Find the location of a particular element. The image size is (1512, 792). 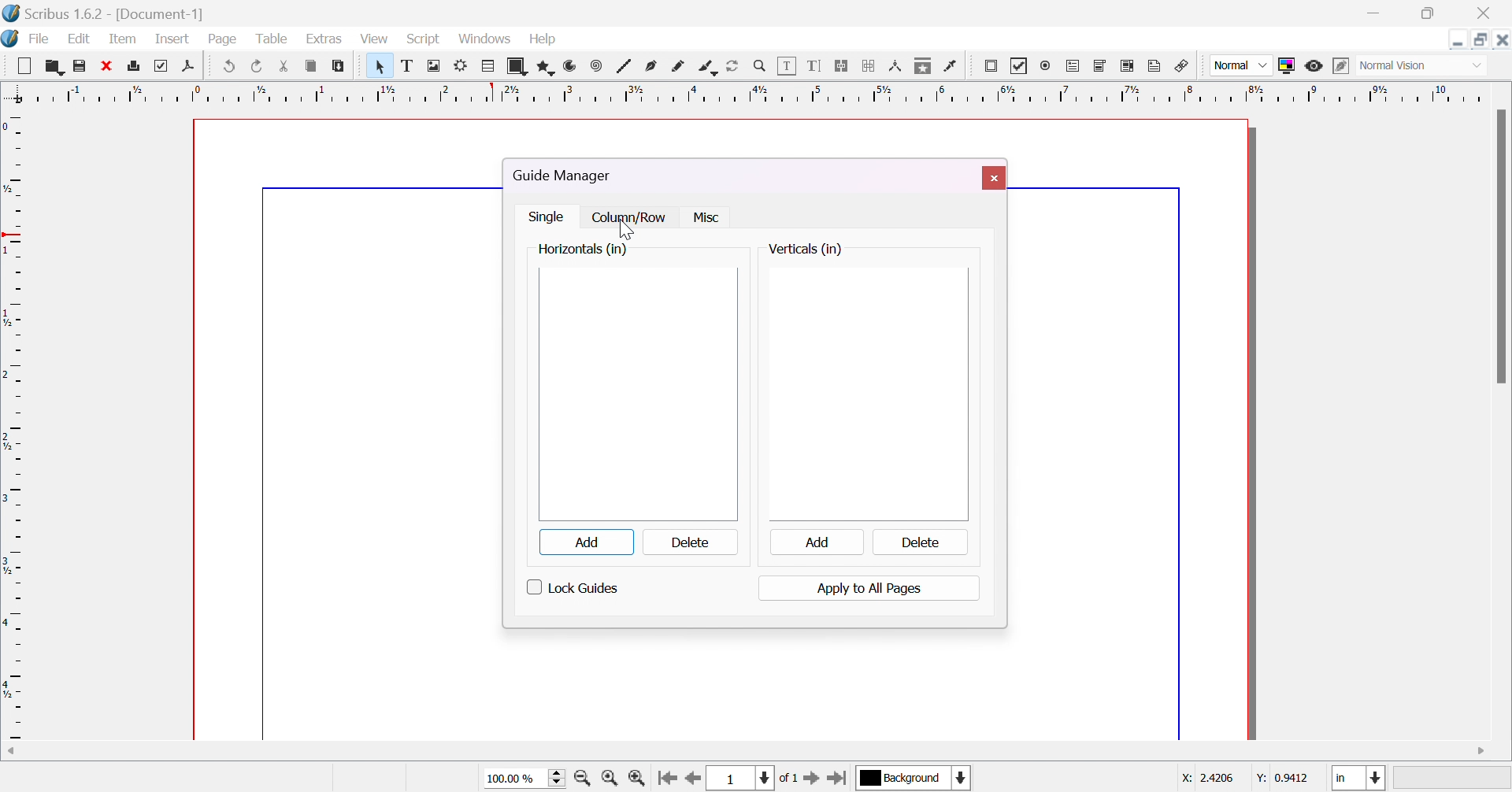

arc is located at coordinates (571, 68).